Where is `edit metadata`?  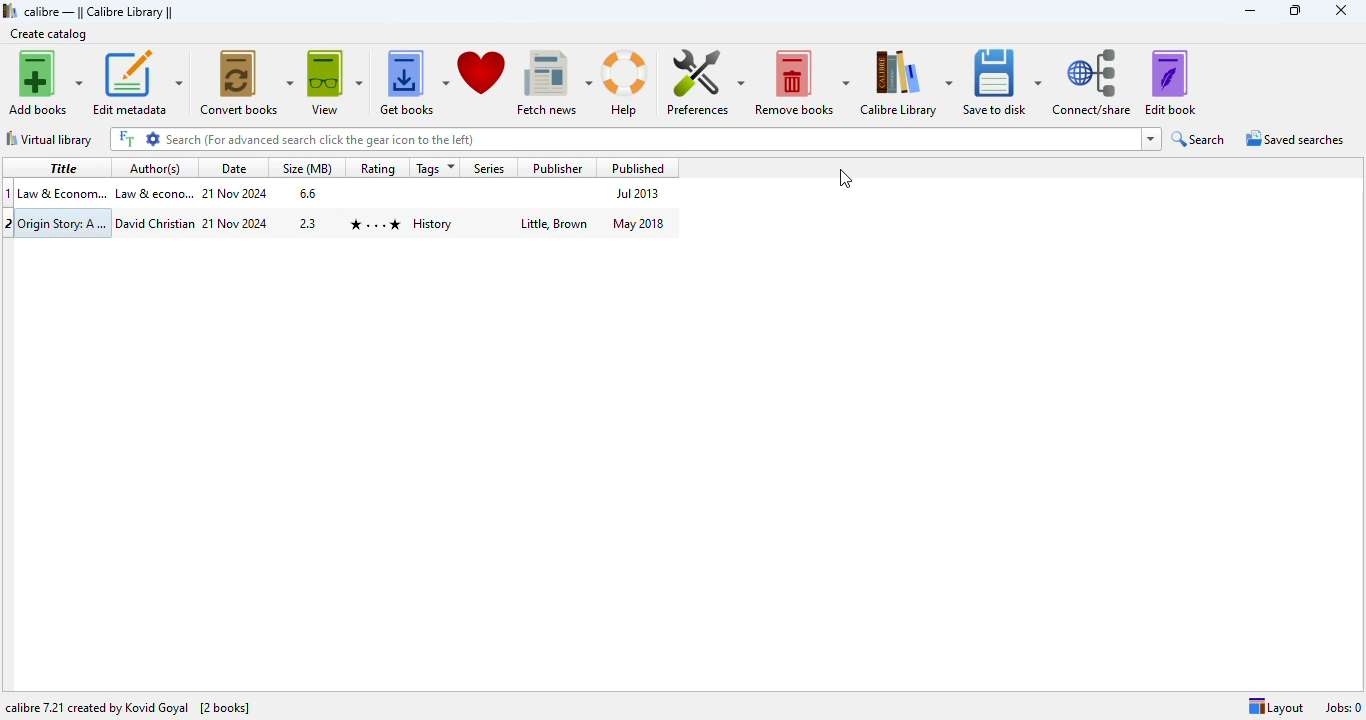
edit metadata is located at coordinates (137, 83).